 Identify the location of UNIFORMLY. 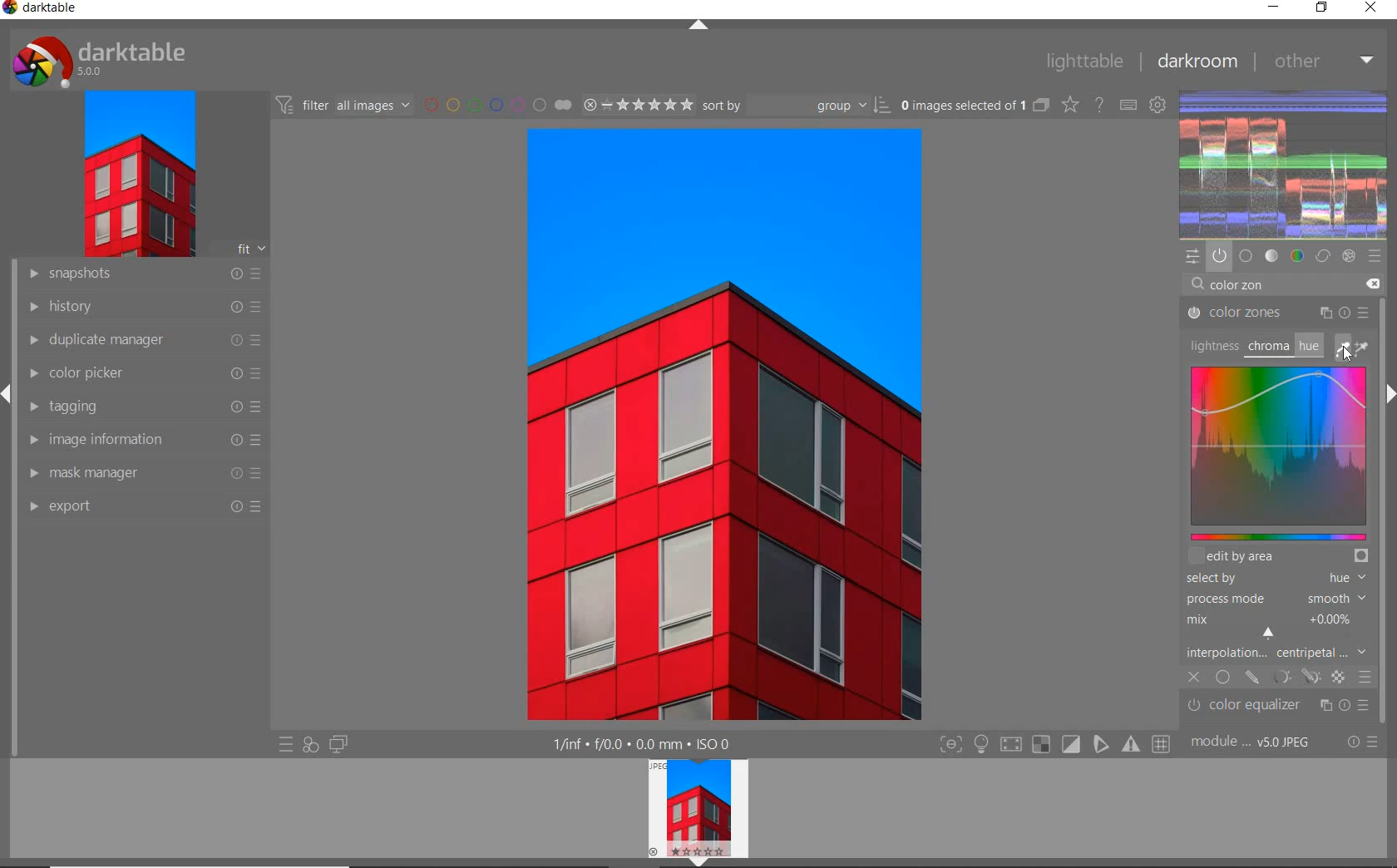
(1222, 678).